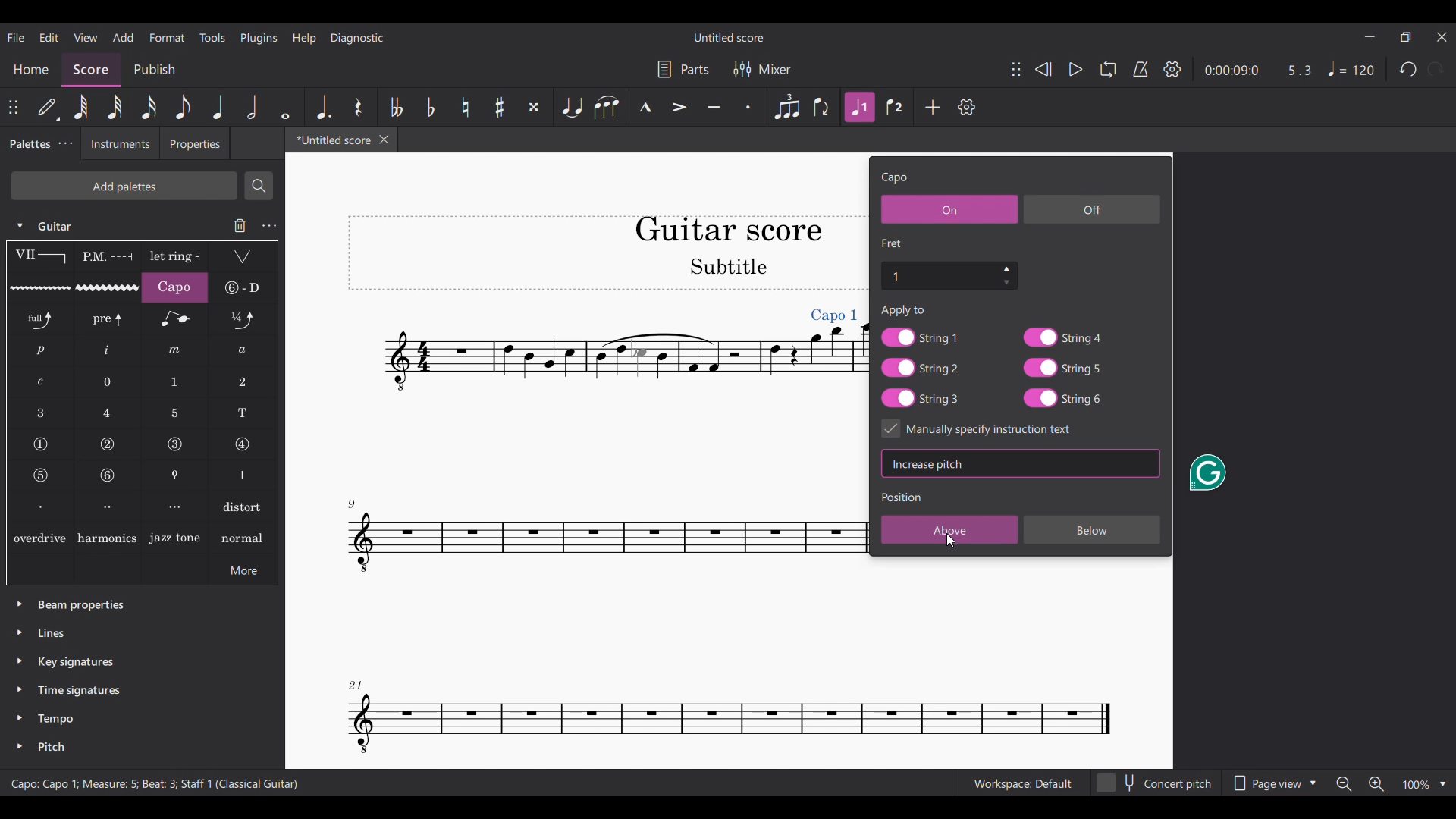  Describe the element at coordinates (950, 529) in the screenshot. I see `Above` at that location.